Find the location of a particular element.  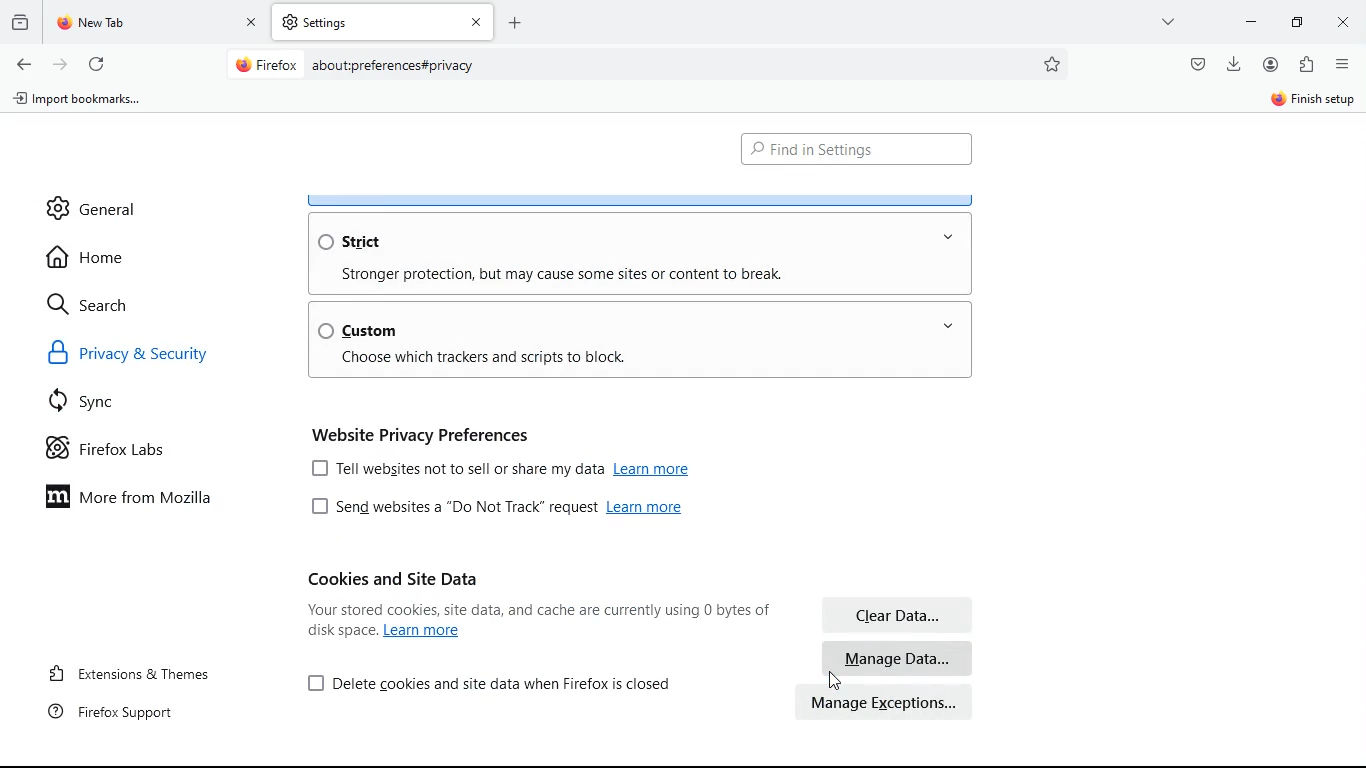

profile is located at coordinates (1275, 64).